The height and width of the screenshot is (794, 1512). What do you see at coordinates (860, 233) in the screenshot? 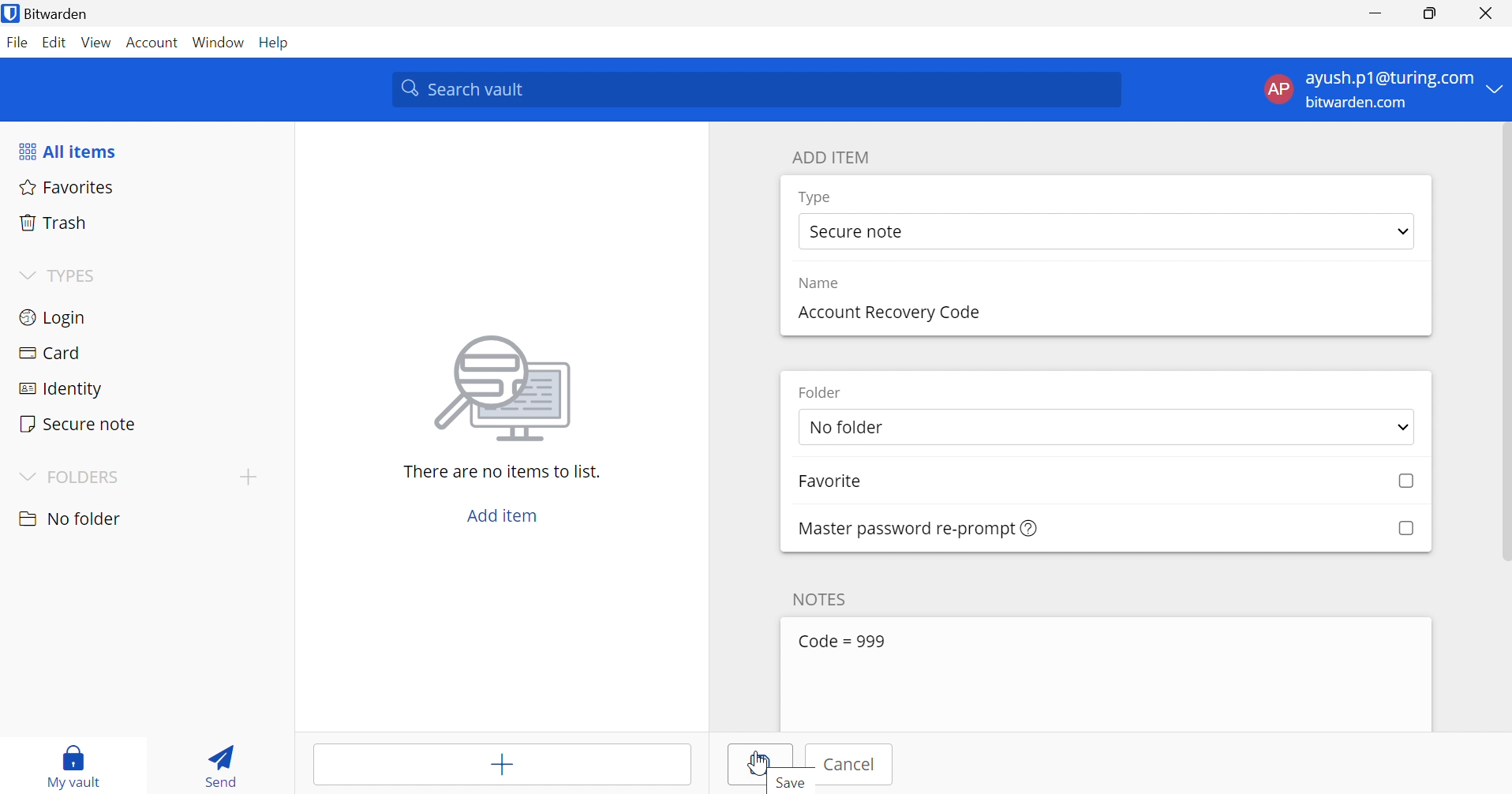
I see `Secure note` at bounding box center [860, 233].